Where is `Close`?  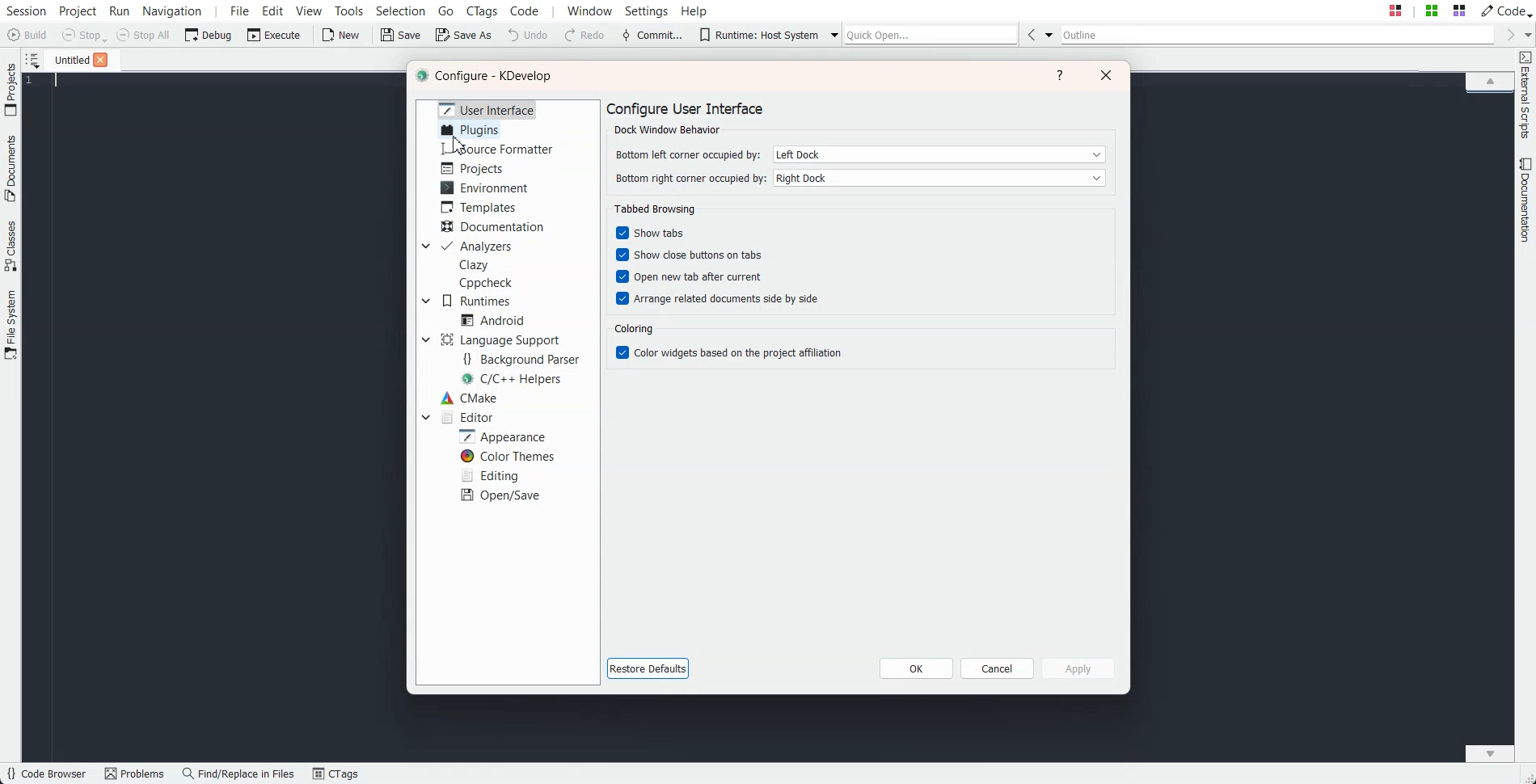 Close is located at coordinates (1106, 74).